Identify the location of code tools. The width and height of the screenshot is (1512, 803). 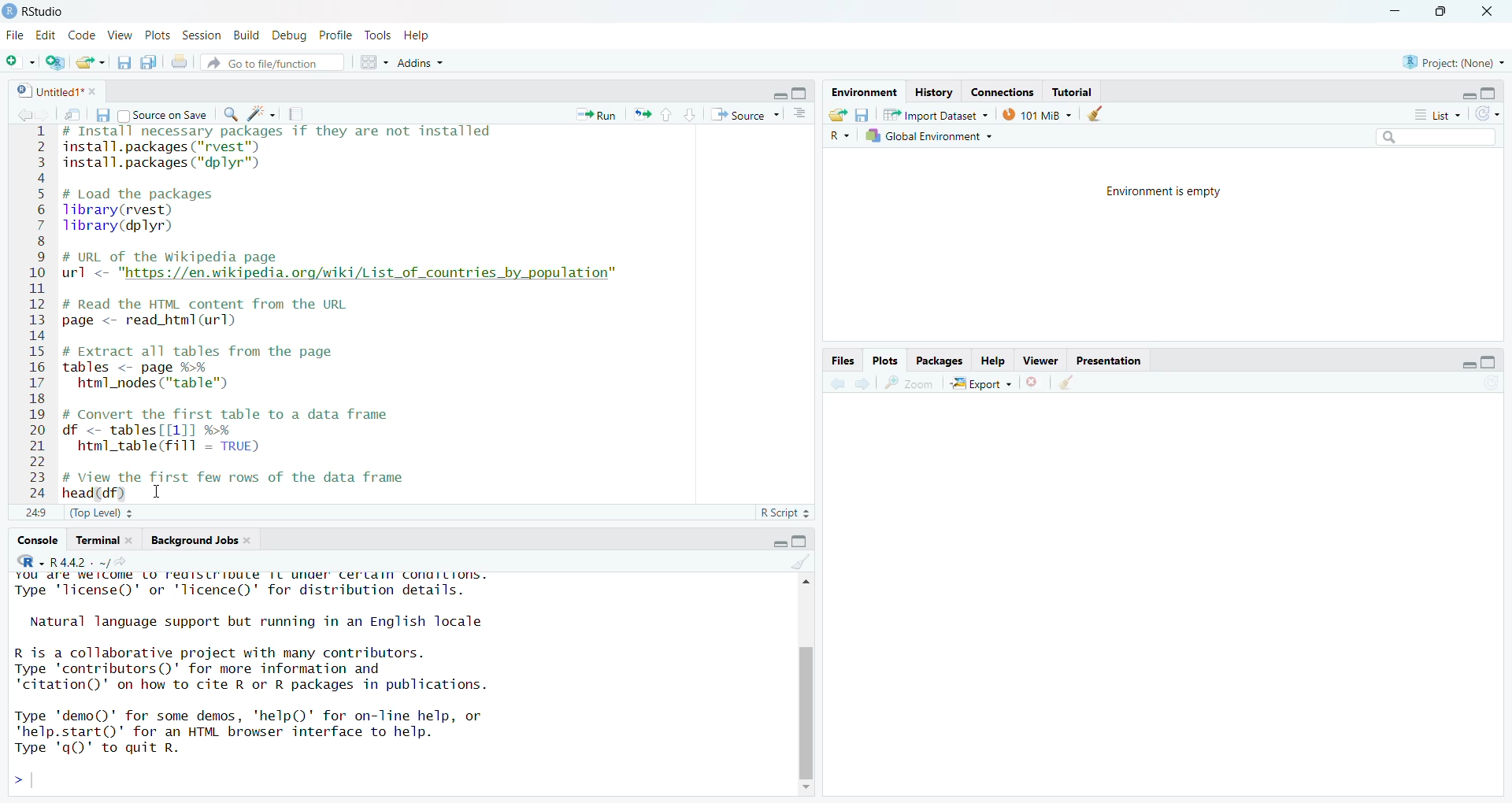
(261, 114).